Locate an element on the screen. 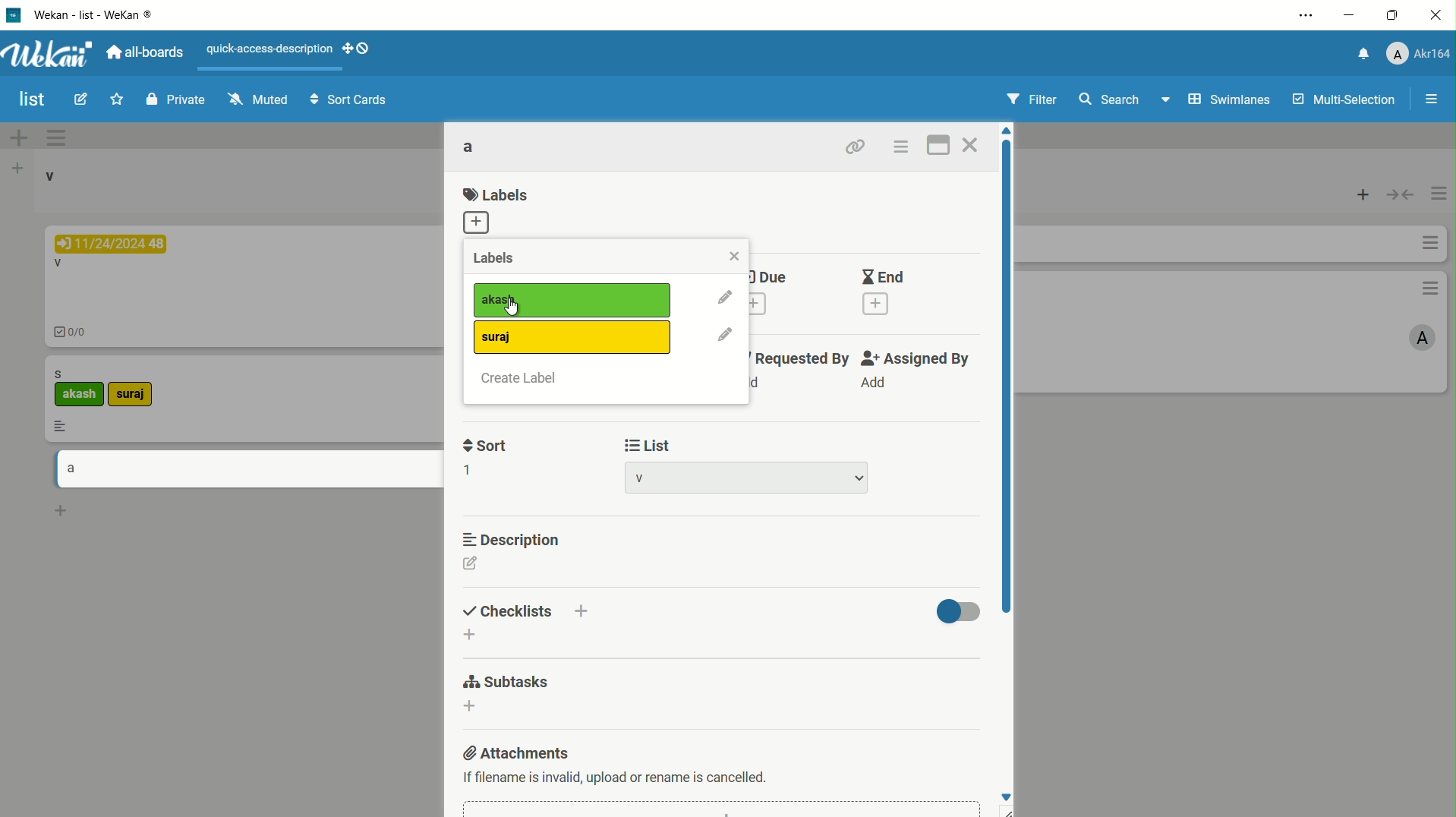  s is located at coordinates (66, 373).